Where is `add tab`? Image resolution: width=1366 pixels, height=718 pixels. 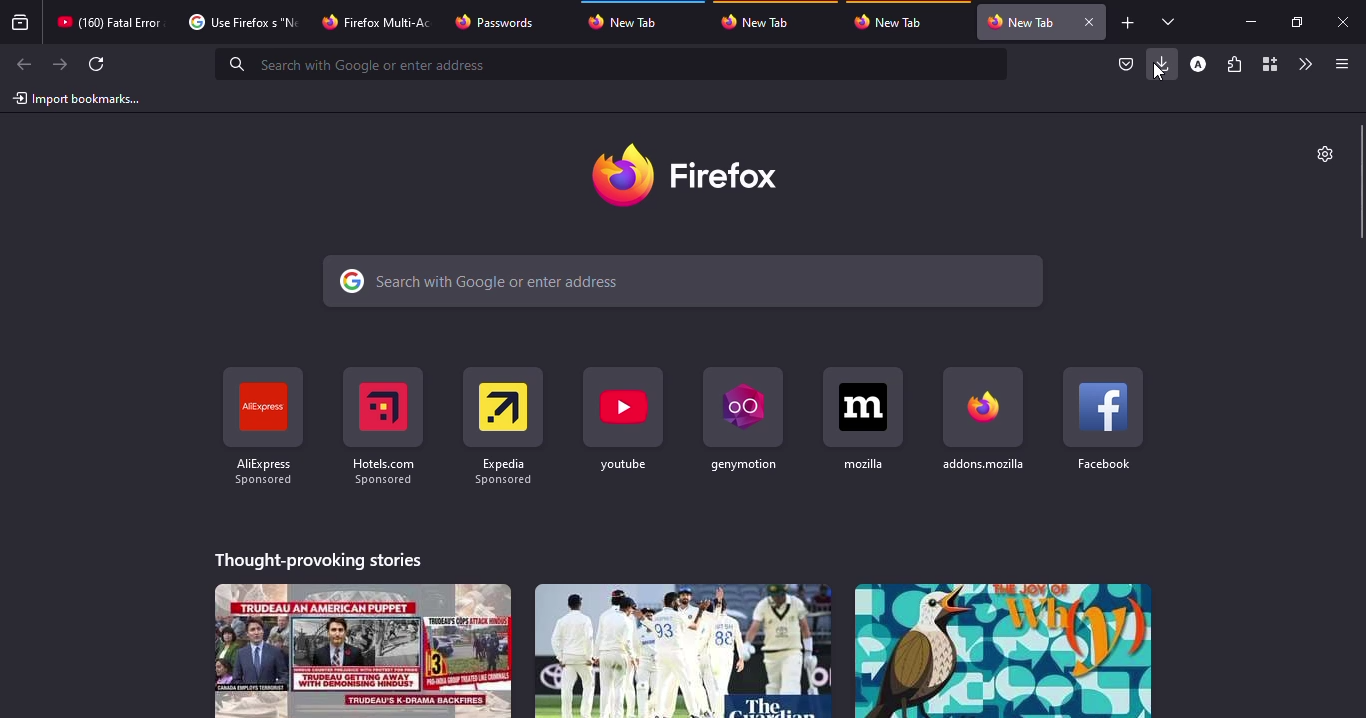 add tab is located at coordinates (1128, 23).